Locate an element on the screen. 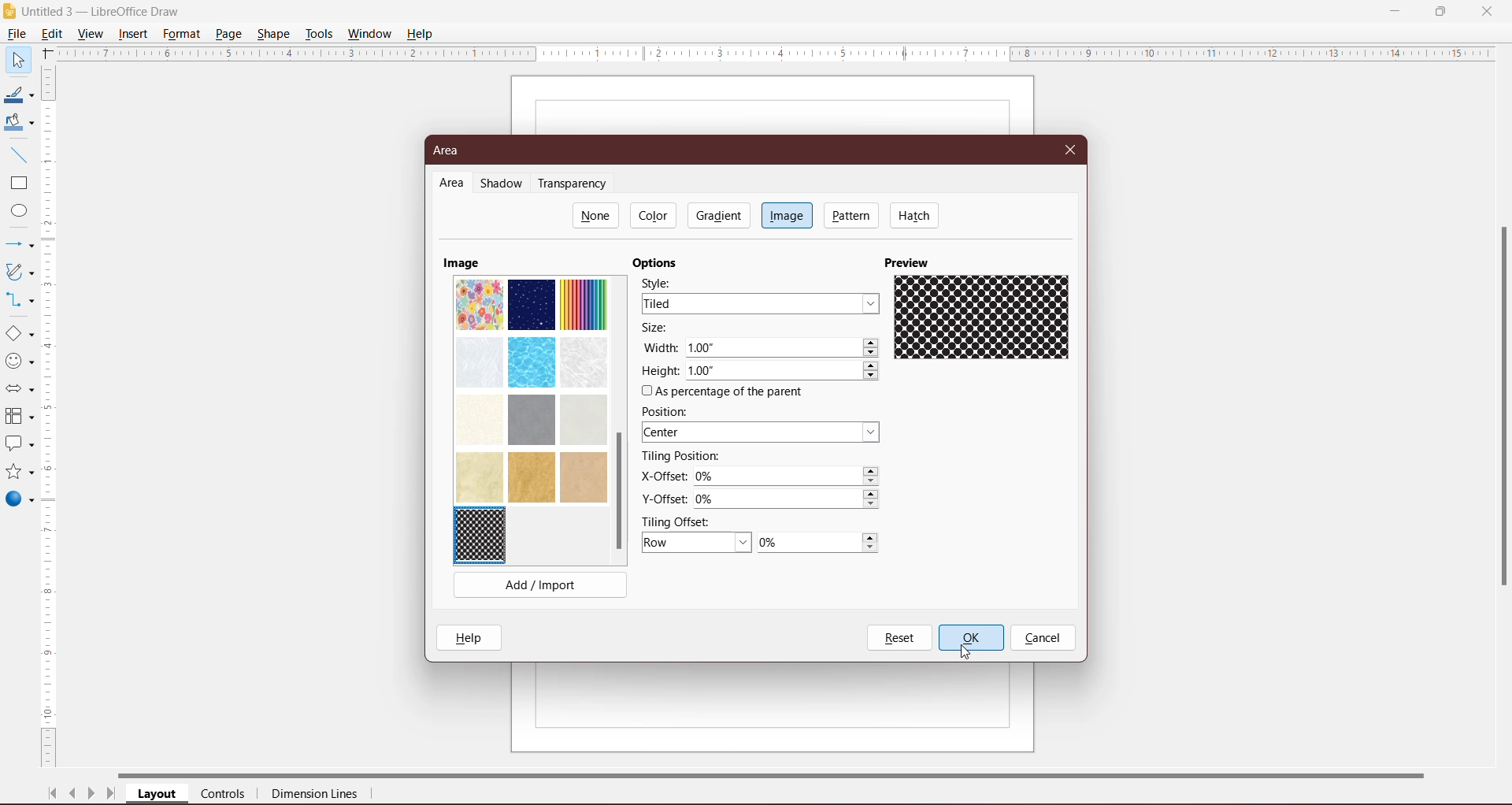 Image resolution: width=1512 pixels, height=805 pixels. Add/Import is located at coordinates (540, 588).